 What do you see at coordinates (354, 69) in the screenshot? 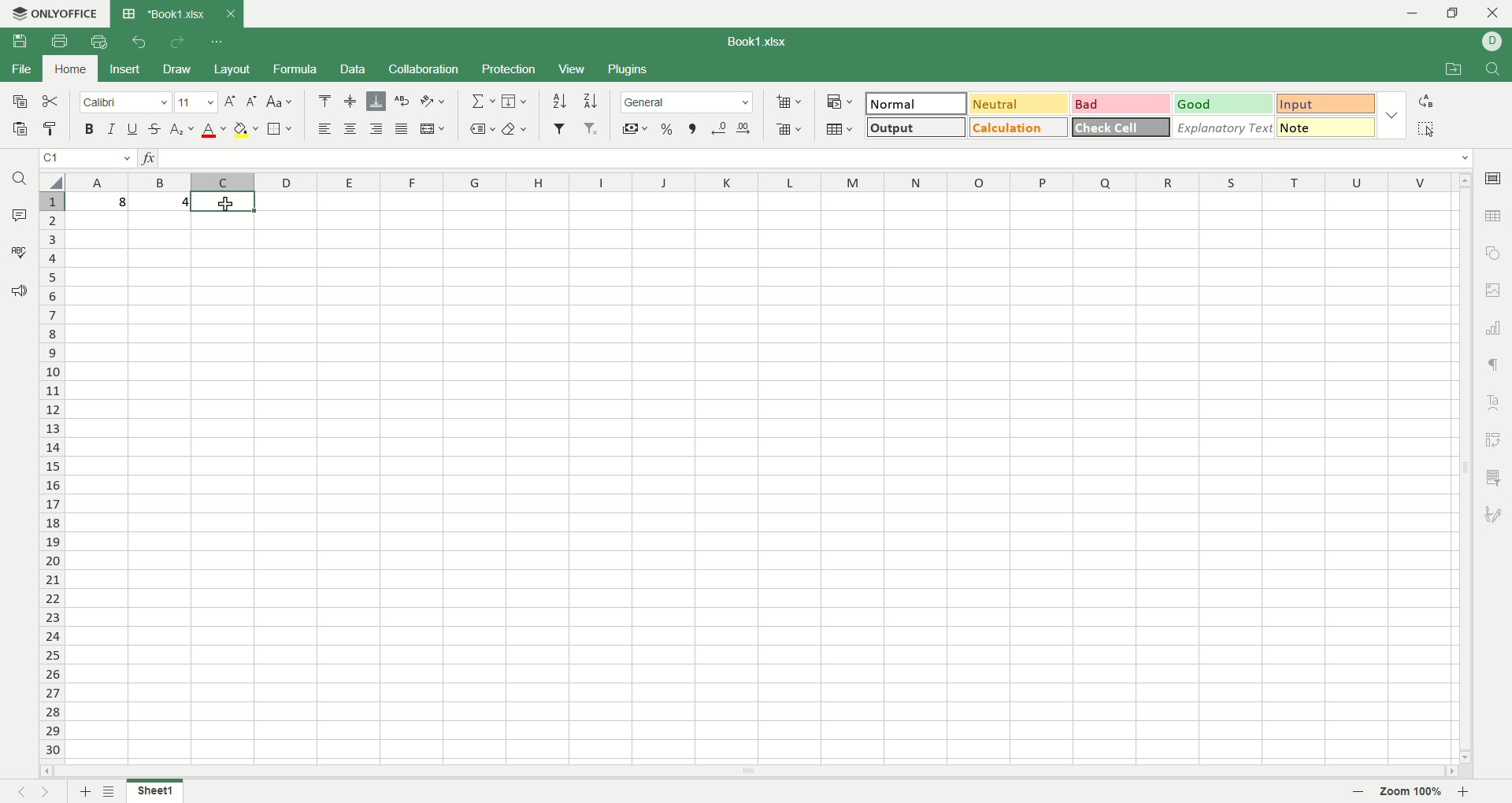
I see `data` at bounding box center [354, 69].